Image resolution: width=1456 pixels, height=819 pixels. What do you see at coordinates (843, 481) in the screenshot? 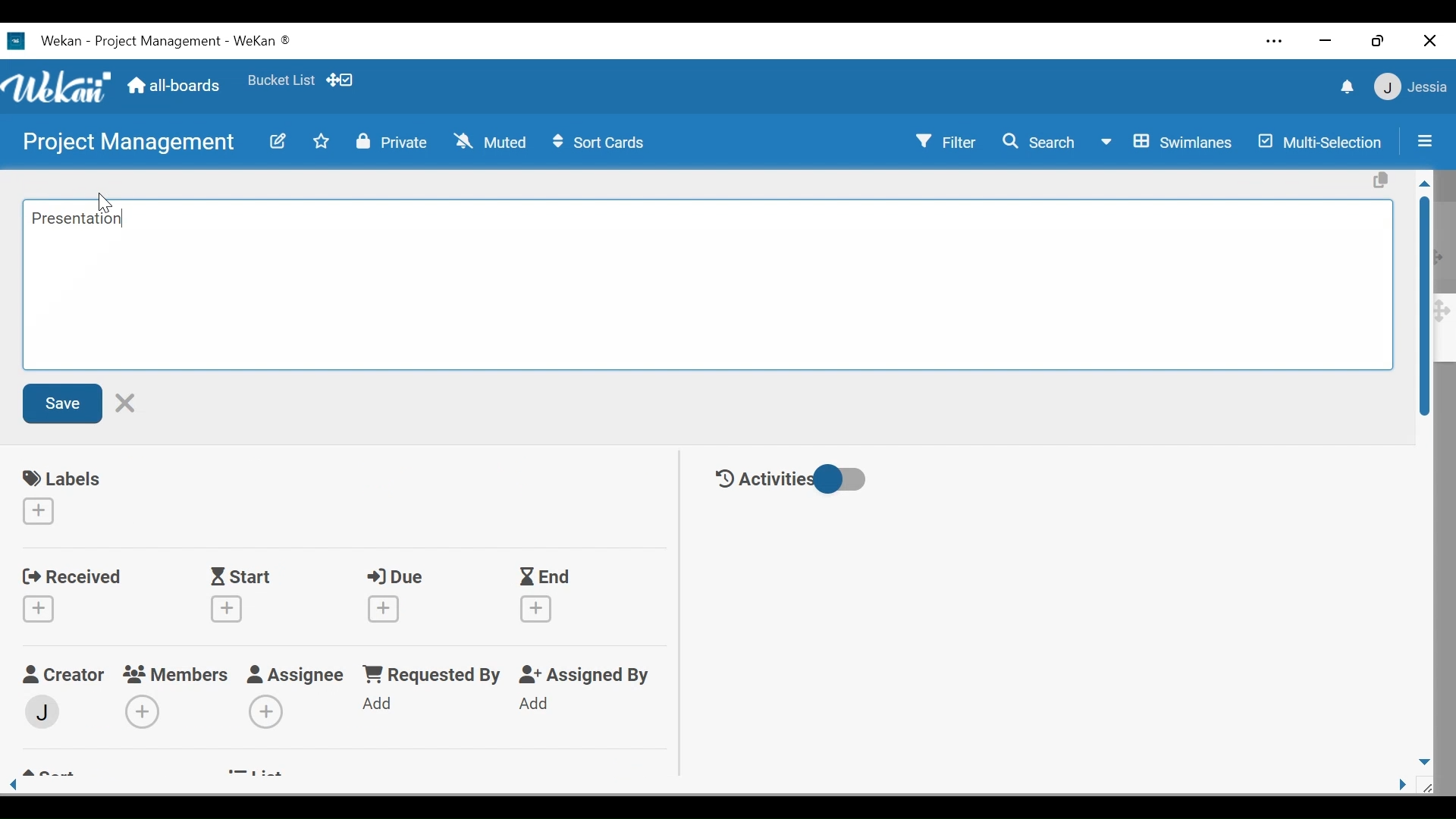
I see `Toggle show/hide activities` at bounding box center [843, 481].